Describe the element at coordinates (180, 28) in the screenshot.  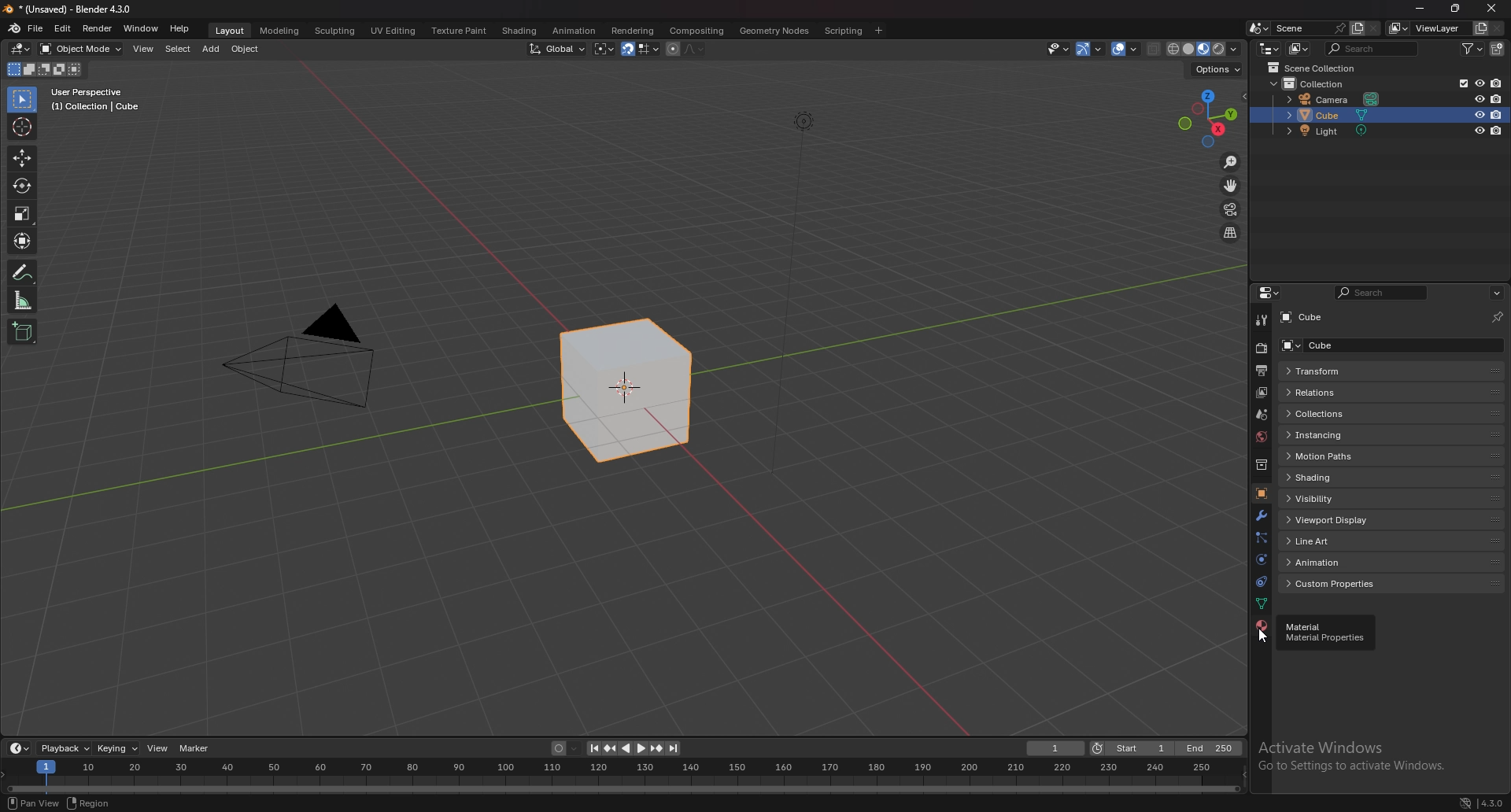
I see `help` at that location.